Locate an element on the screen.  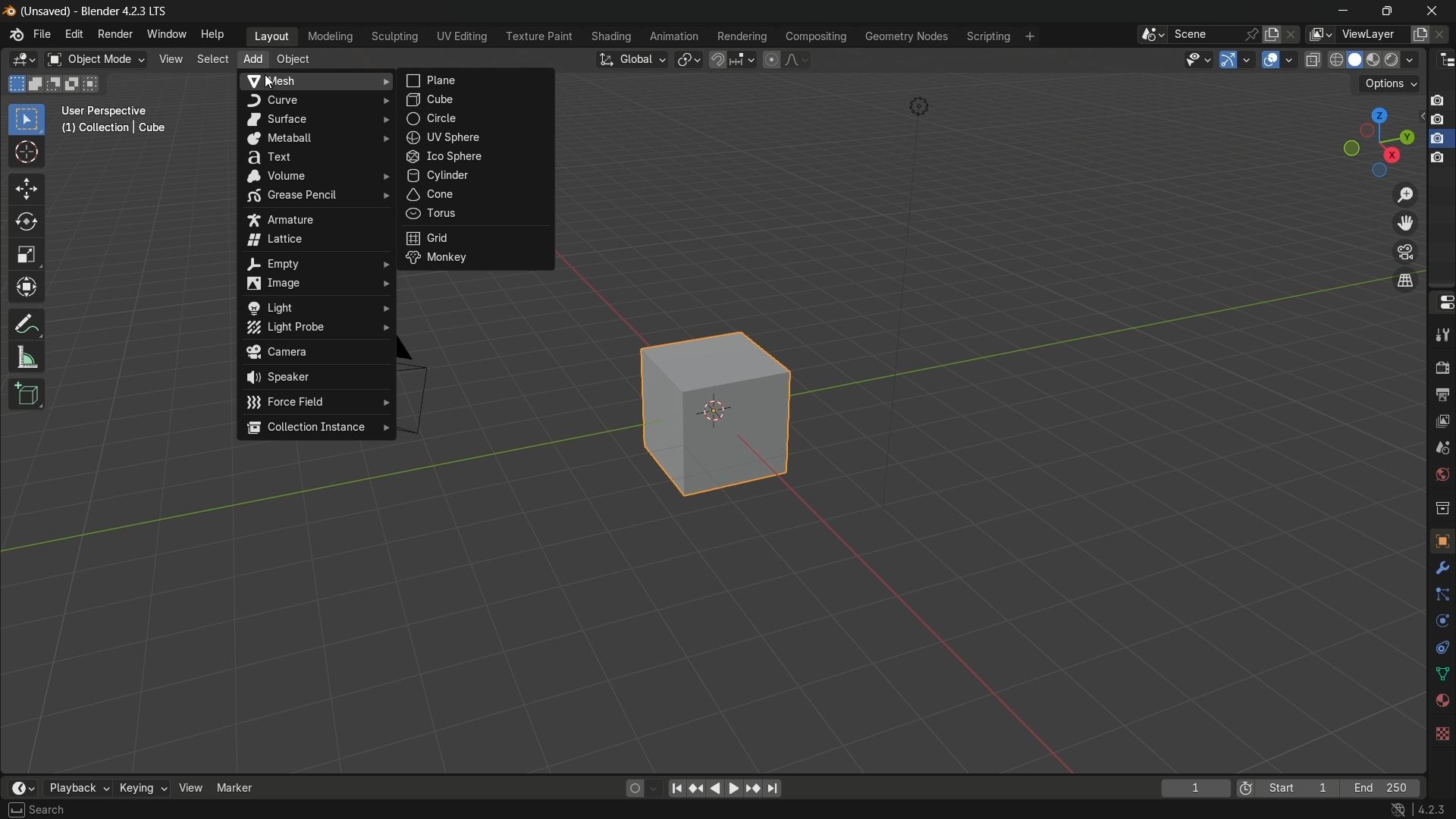
view is located at coordinates (169, 59).